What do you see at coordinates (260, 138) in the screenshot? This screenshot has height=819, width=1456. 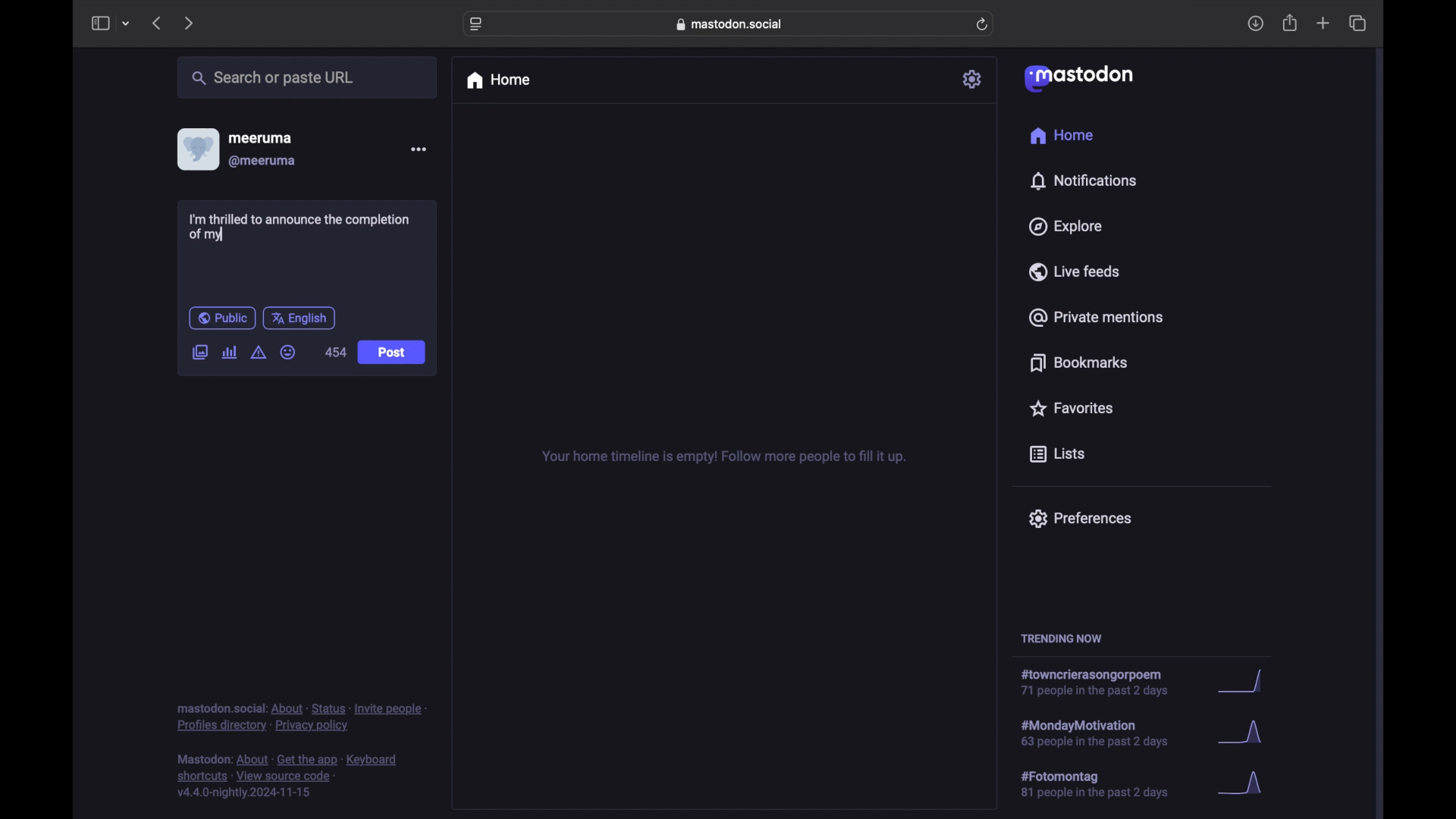 I see `meeruma` at bounding box center [260, 138].